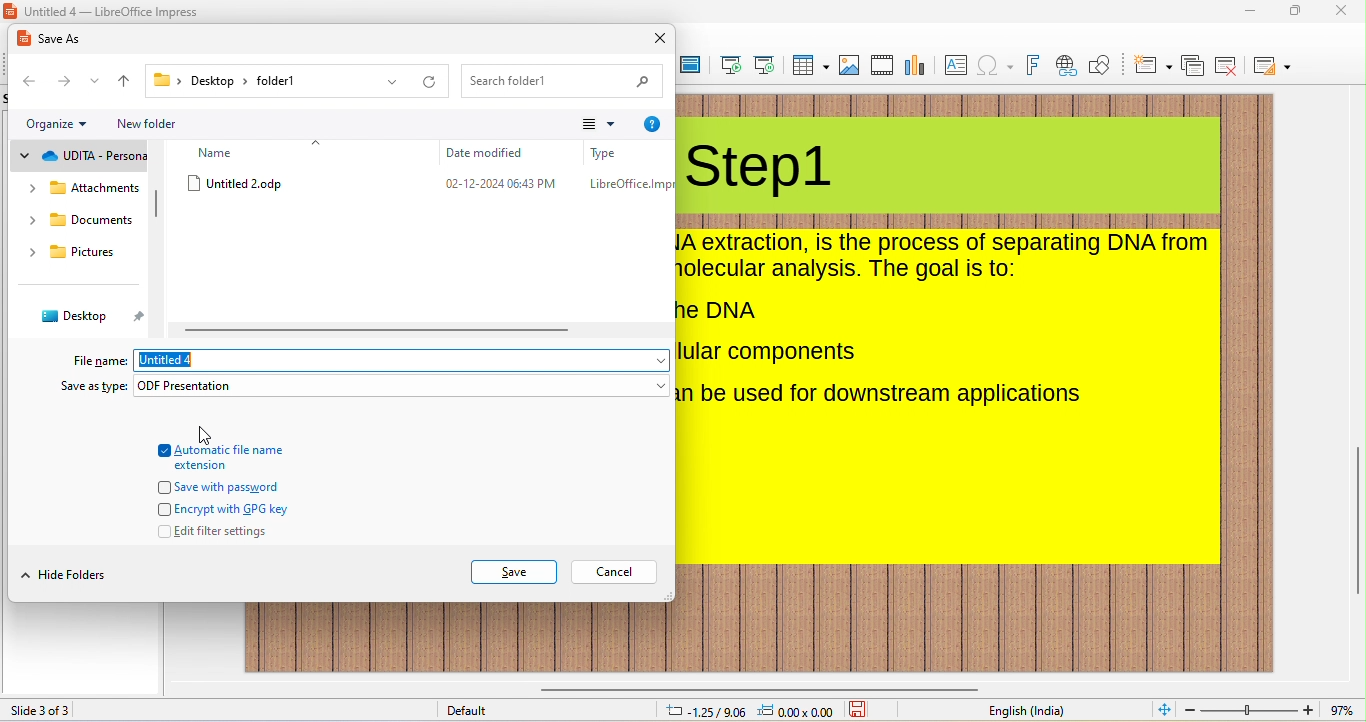 This screenshot has height=722, width=1366. What do you see at coordinates (149, 123) in the screenshot?
I see `new folder` at bounding box center [149, 123].